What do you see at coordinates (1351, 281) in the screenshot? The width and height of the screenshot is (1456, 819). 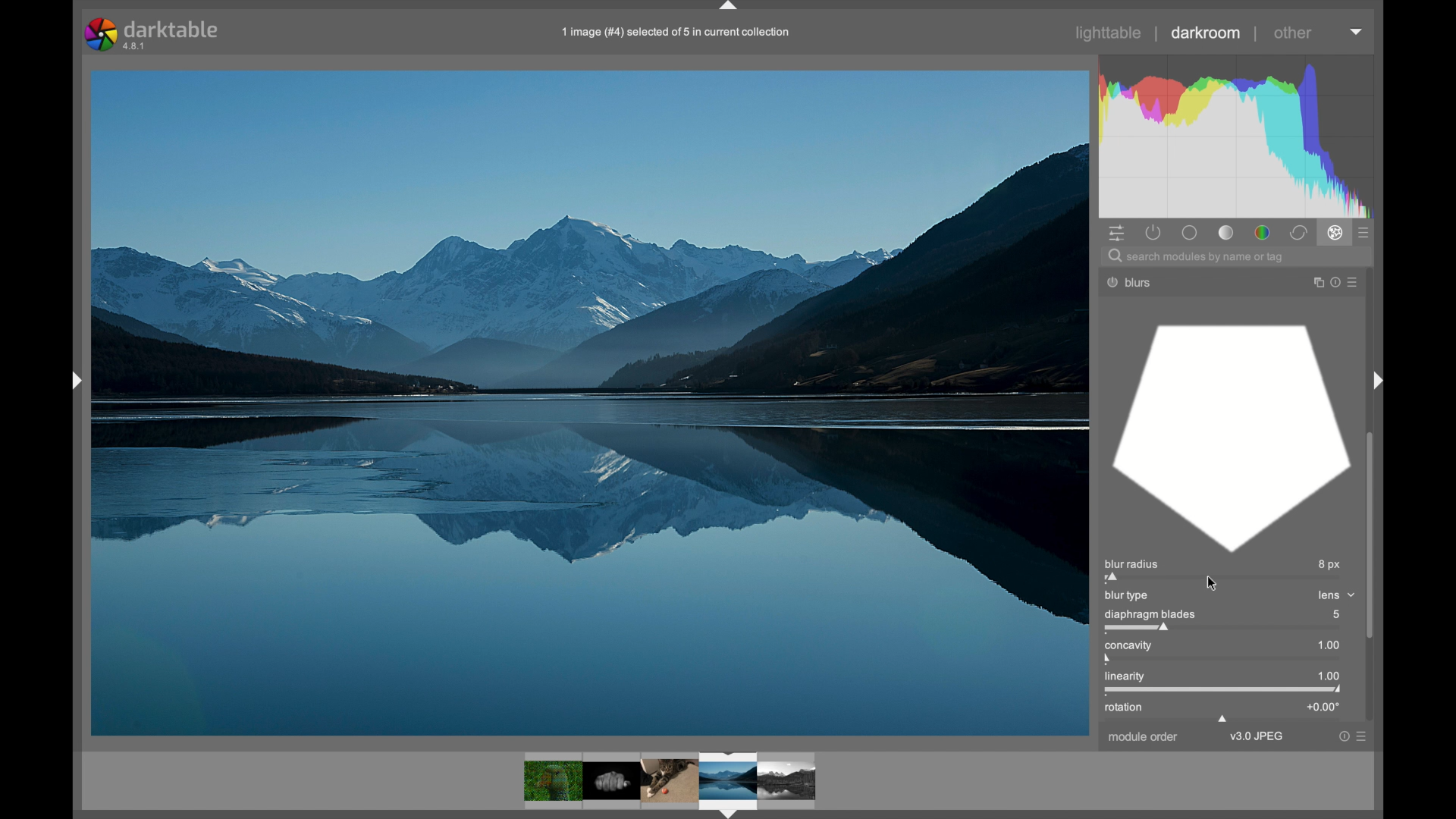 I see `more options` at bounding box center [1351, 281].